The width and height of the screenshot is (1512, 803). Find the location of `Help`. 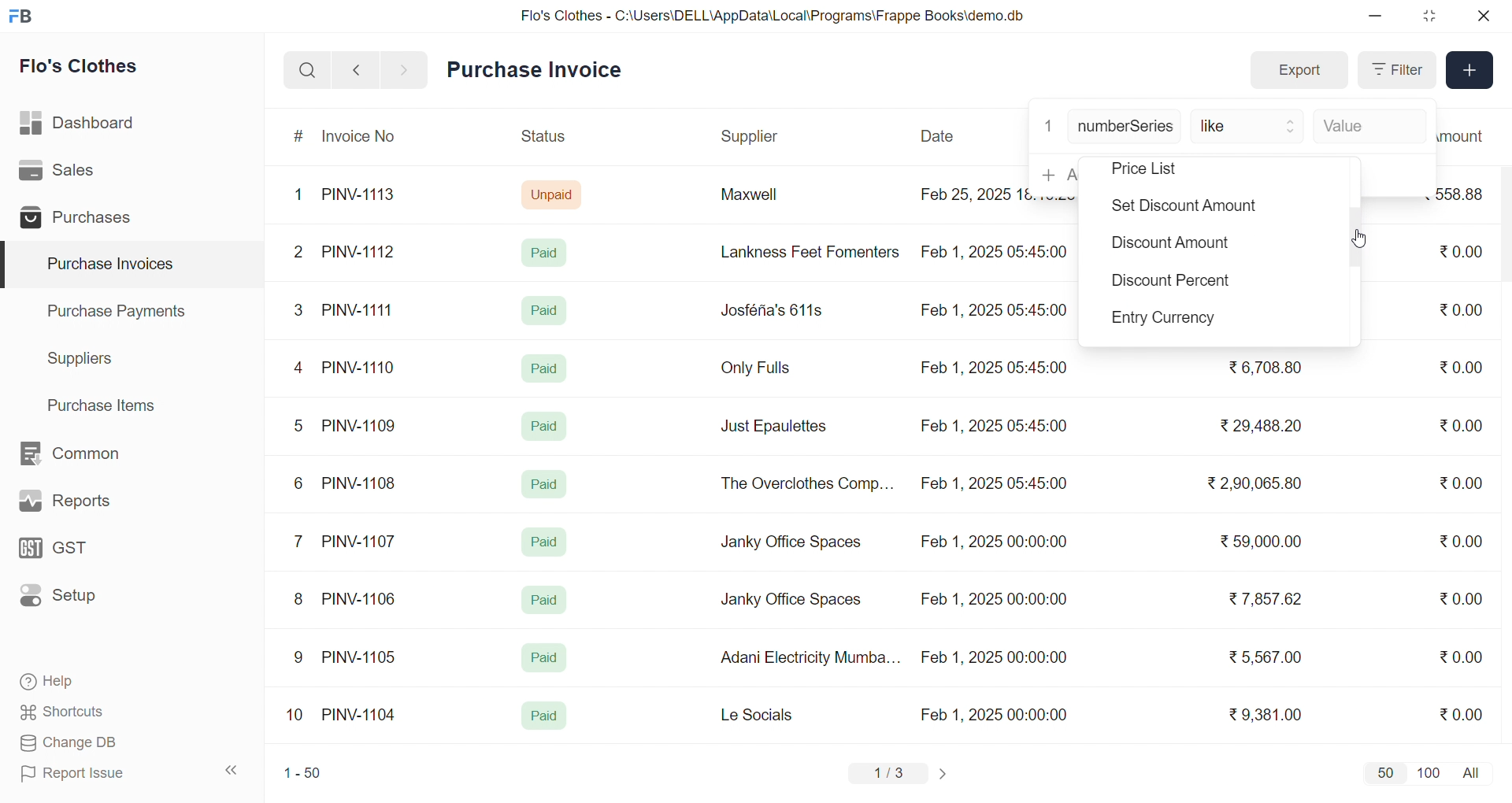

Help is located at coordinates (98, 683).